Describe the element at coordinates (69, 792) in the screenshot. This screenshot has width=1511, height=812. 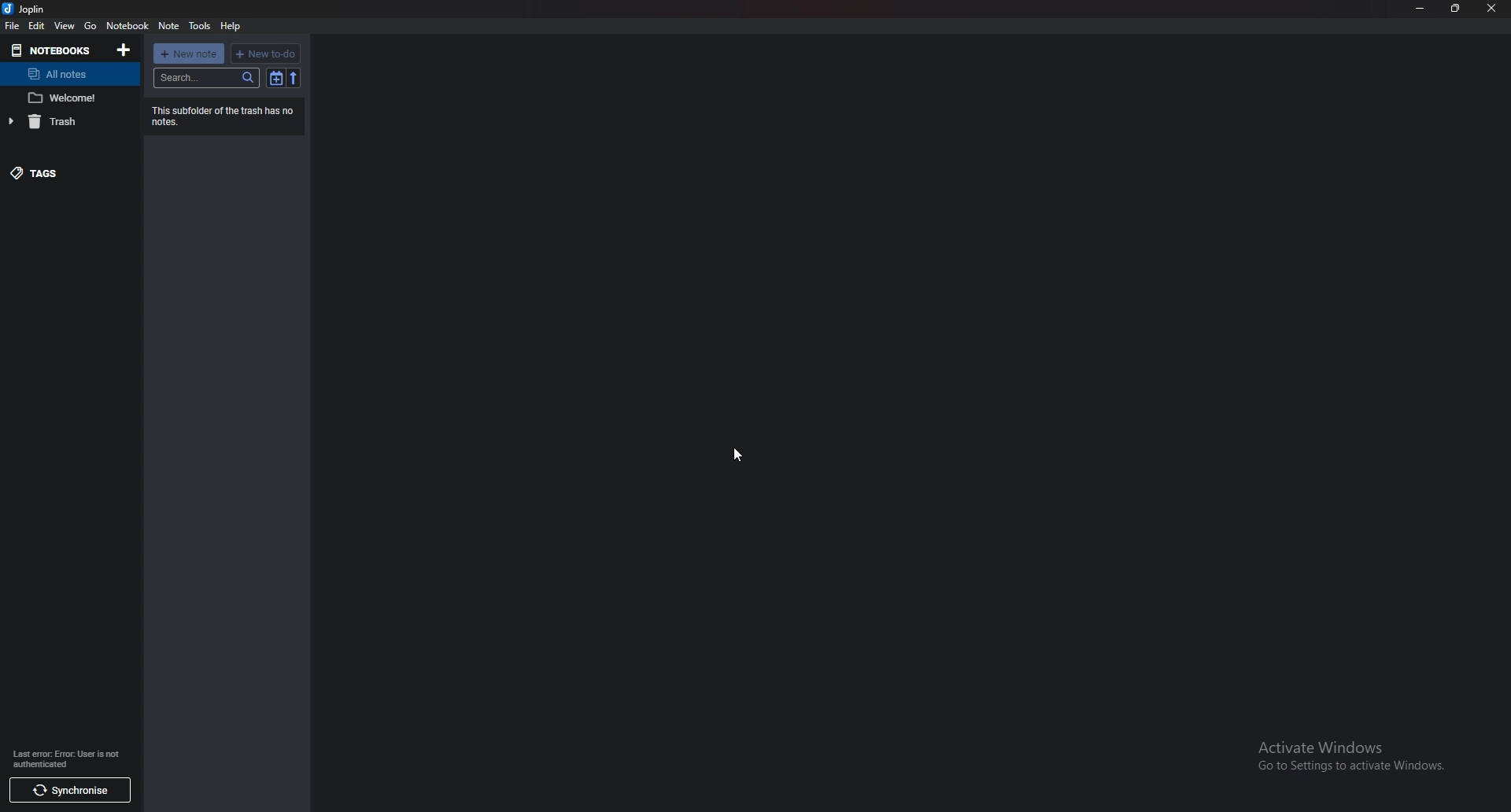
I see `synchronise` at that location.